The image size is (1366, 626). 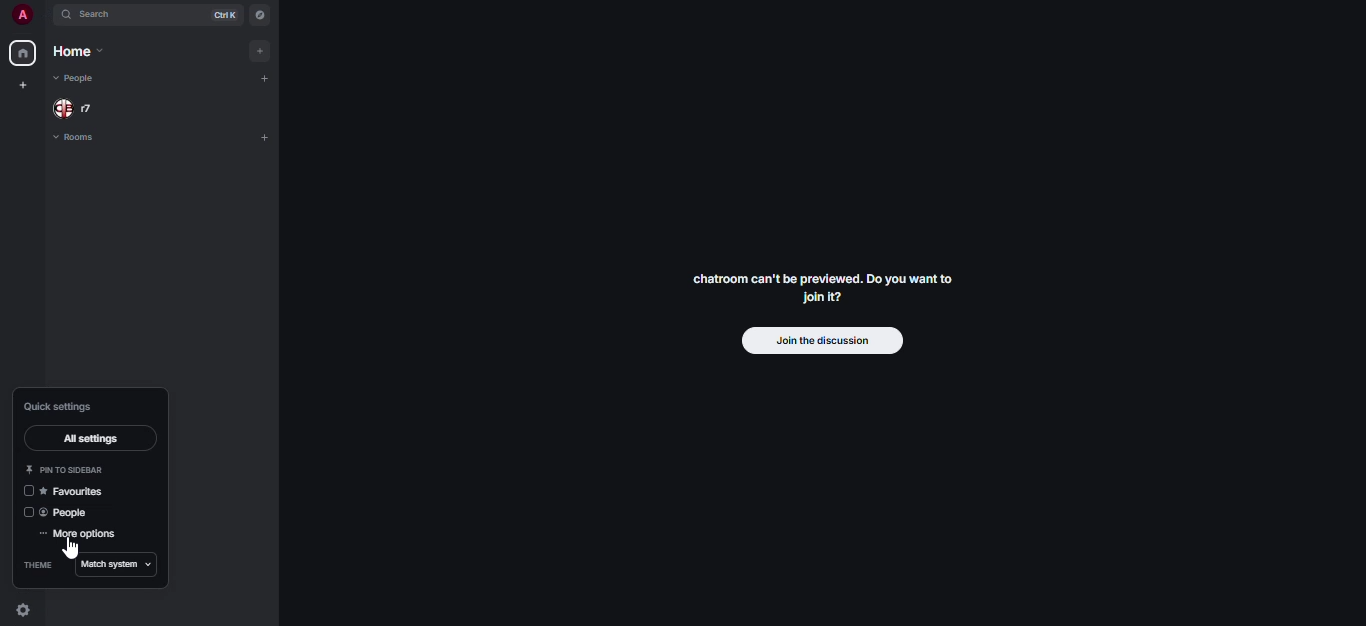 What do you see at coordinates (74, 107) in the screenshot?
I see `people` at bounding box center [74, 107].